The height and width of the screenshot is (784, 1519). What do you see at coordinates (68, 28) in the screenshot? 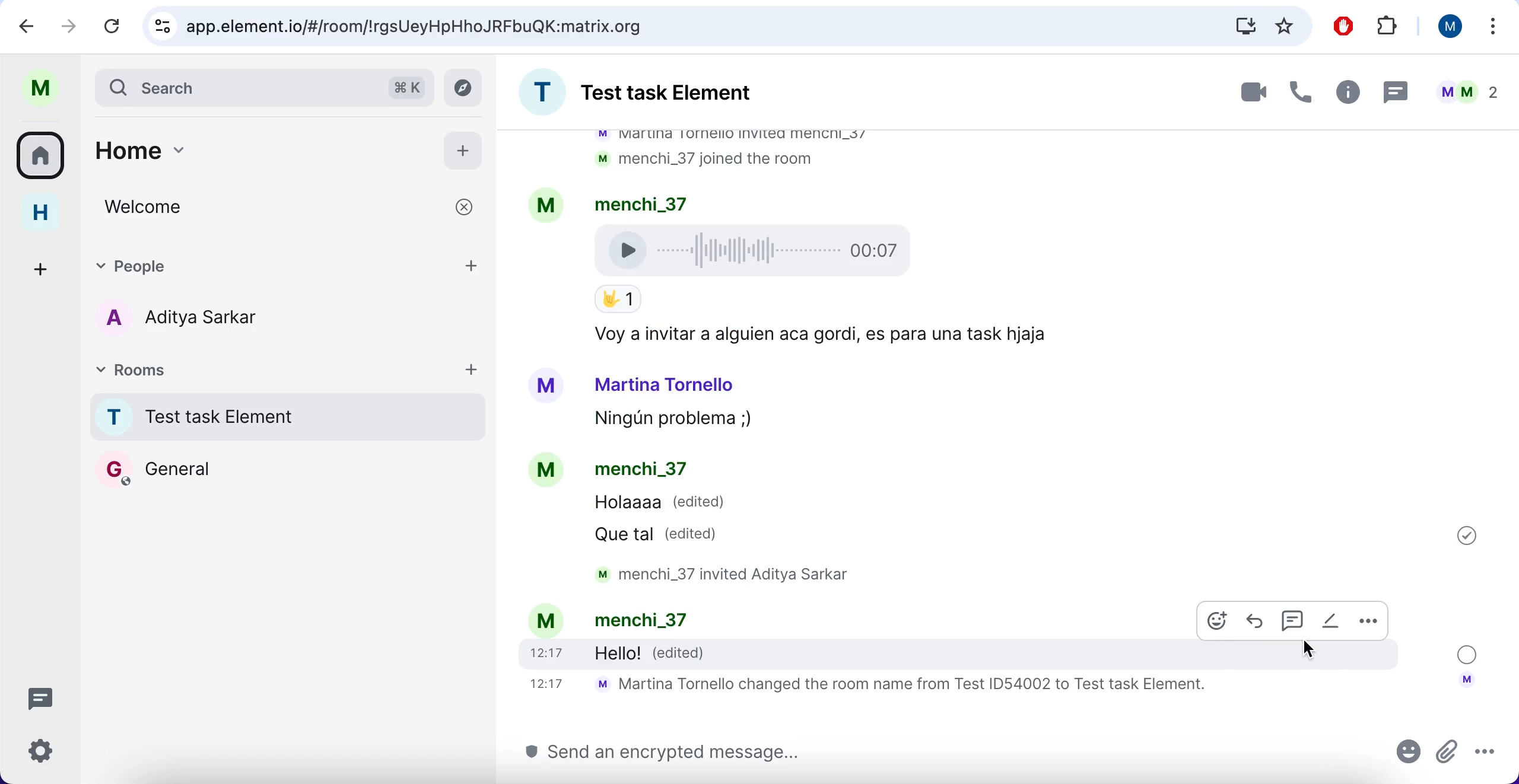
I see `forward` at bounding box center [68, 28].